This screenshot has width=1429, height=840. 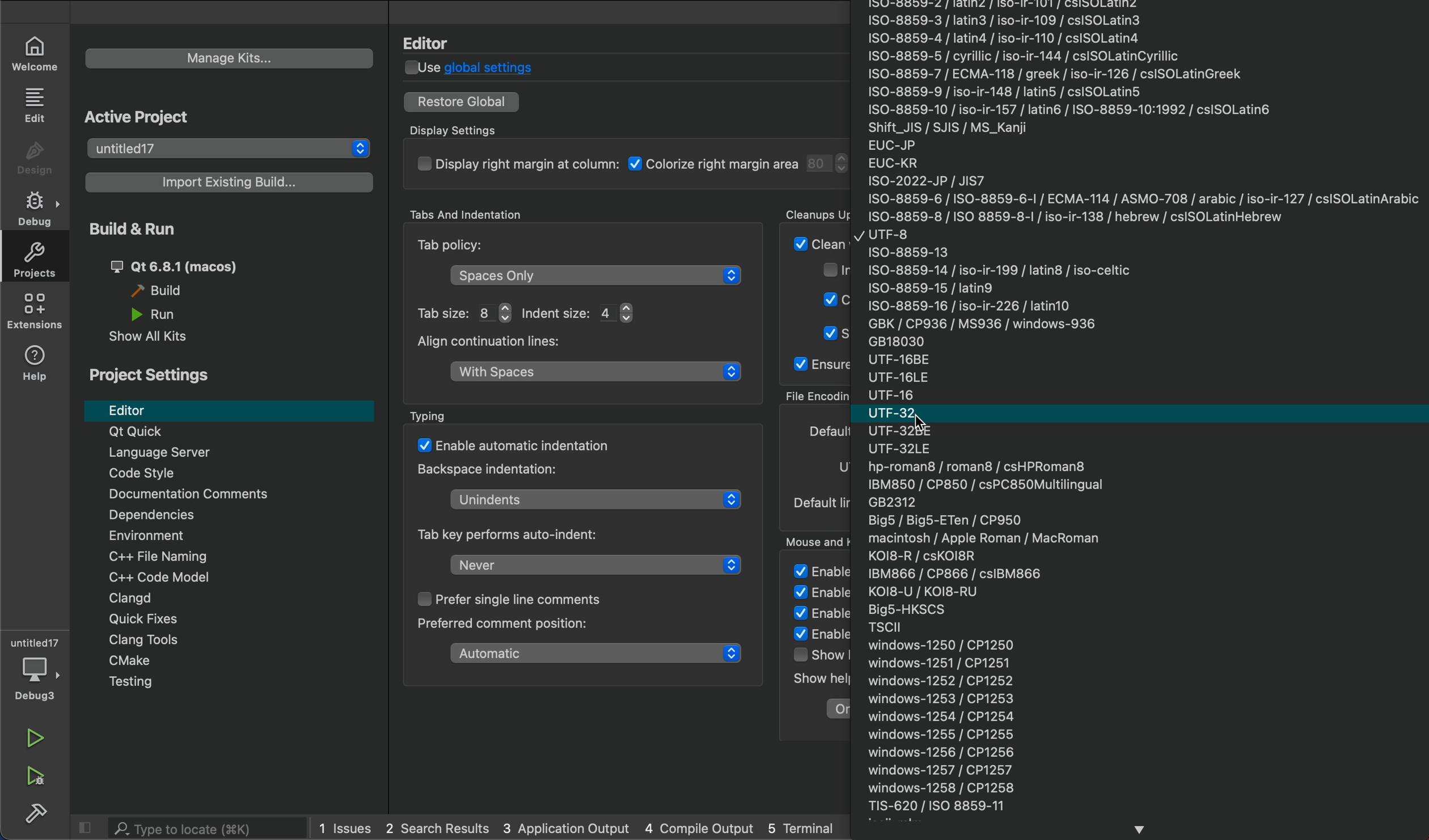 What do you see at coordinates (460, 102) in the screenshot?
I see `restore to global` at bounding box center [460, 102].